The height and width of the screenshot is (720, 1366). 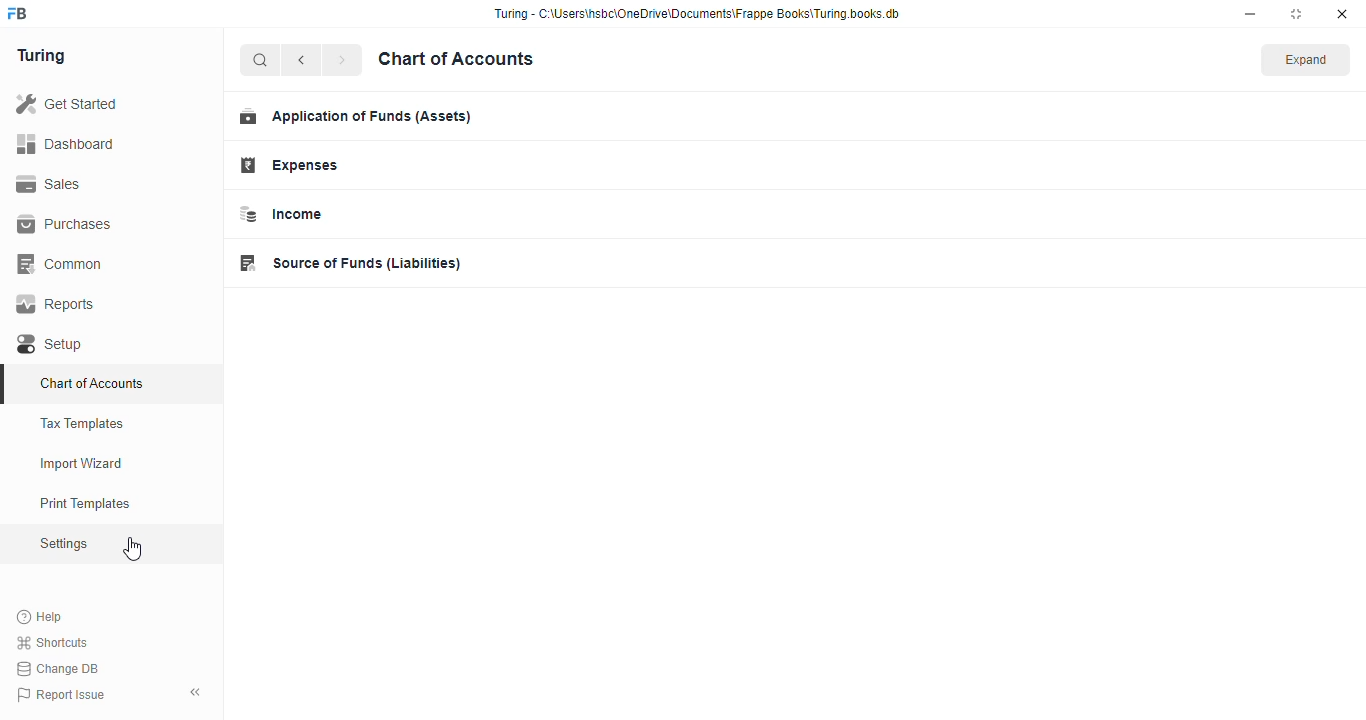 I want to click on close, so click(x=1342, y=14).